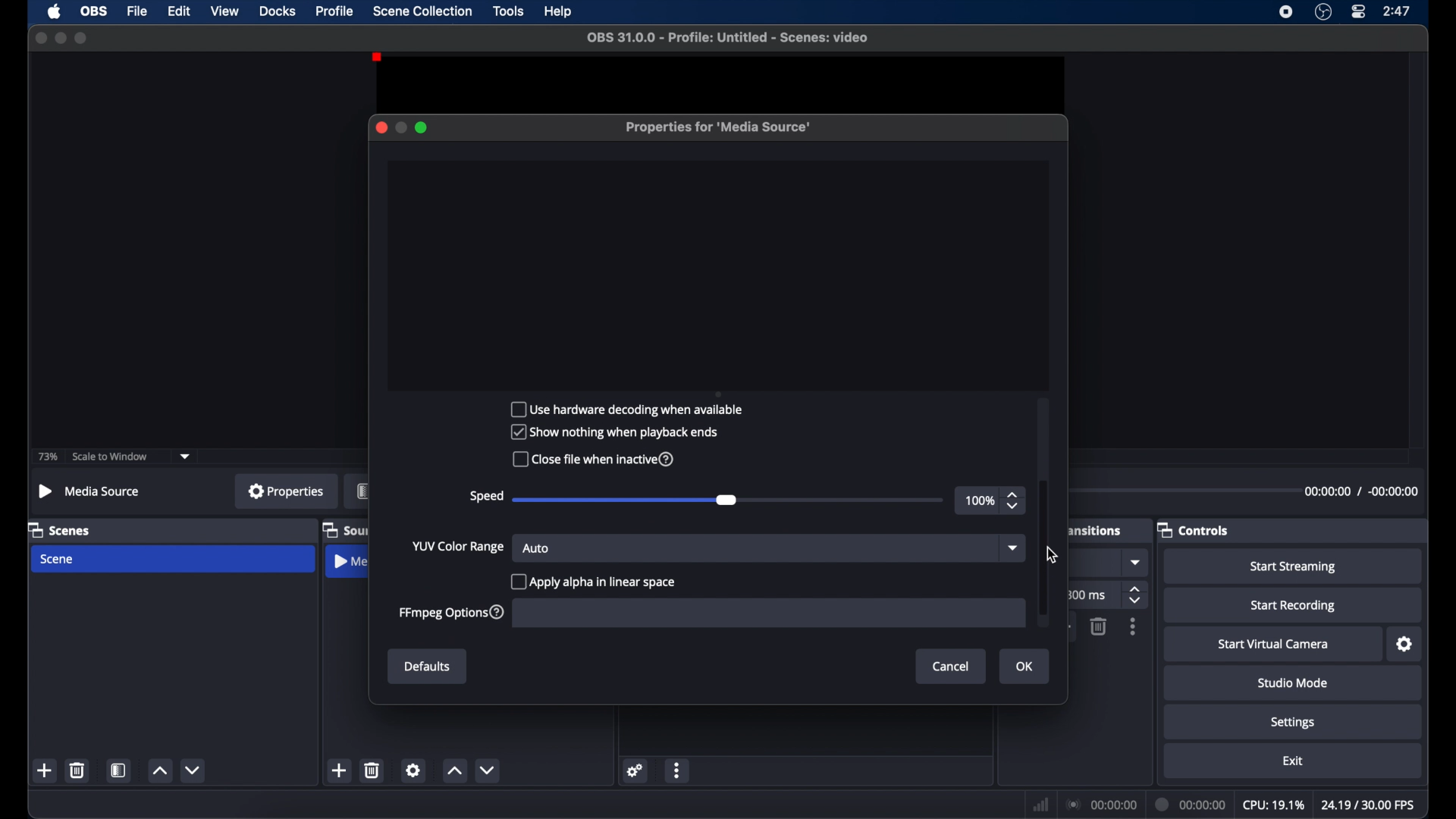 The height and width of the screenshot is (819, 1456). Describe the element at coordinates (631, 409) in the screenshot. I see `Use hardware decoding when available` at that location.